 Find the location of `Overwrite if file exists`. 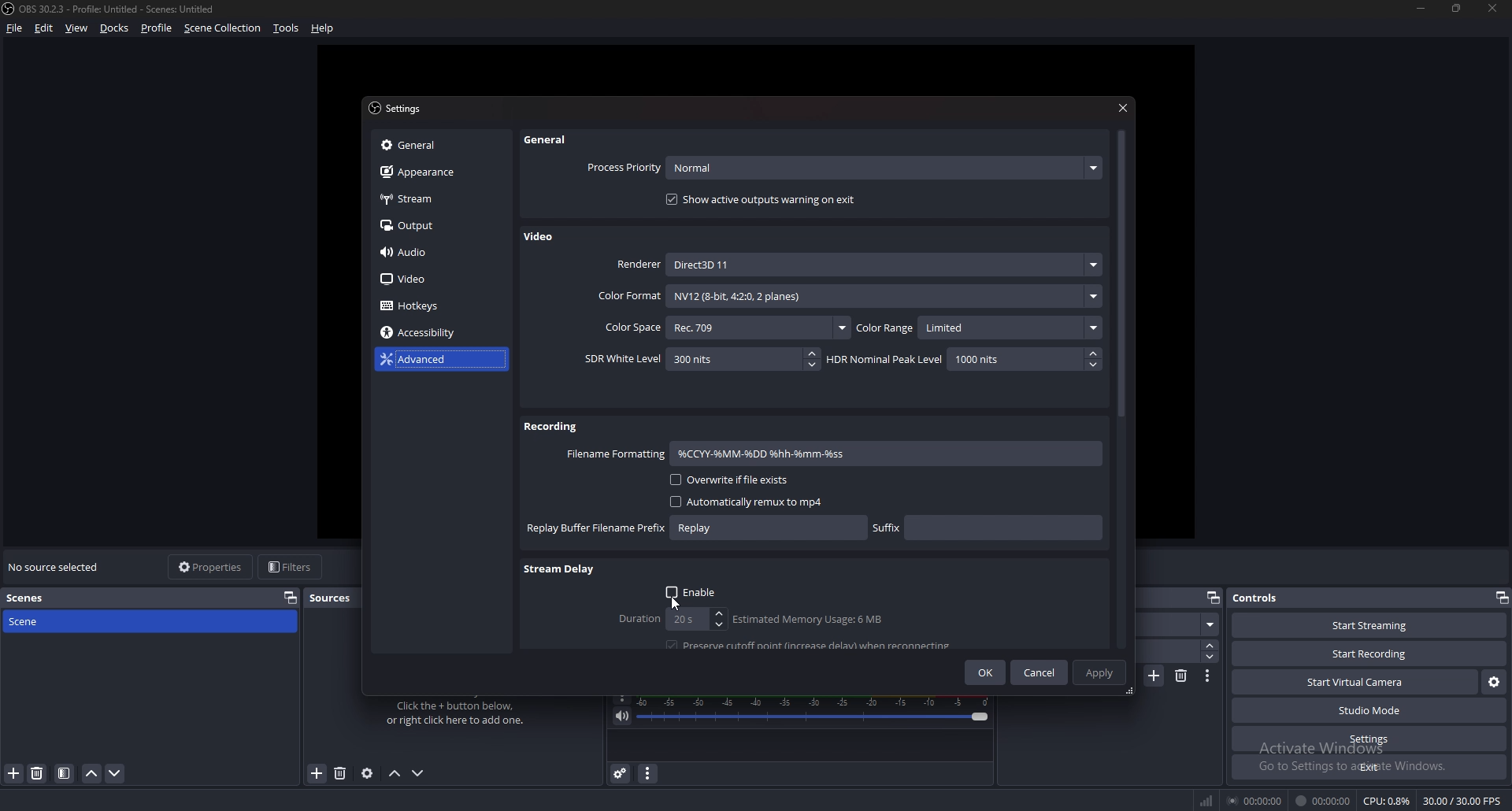

Overwrite if file exists is located at coordinates (728, 480).